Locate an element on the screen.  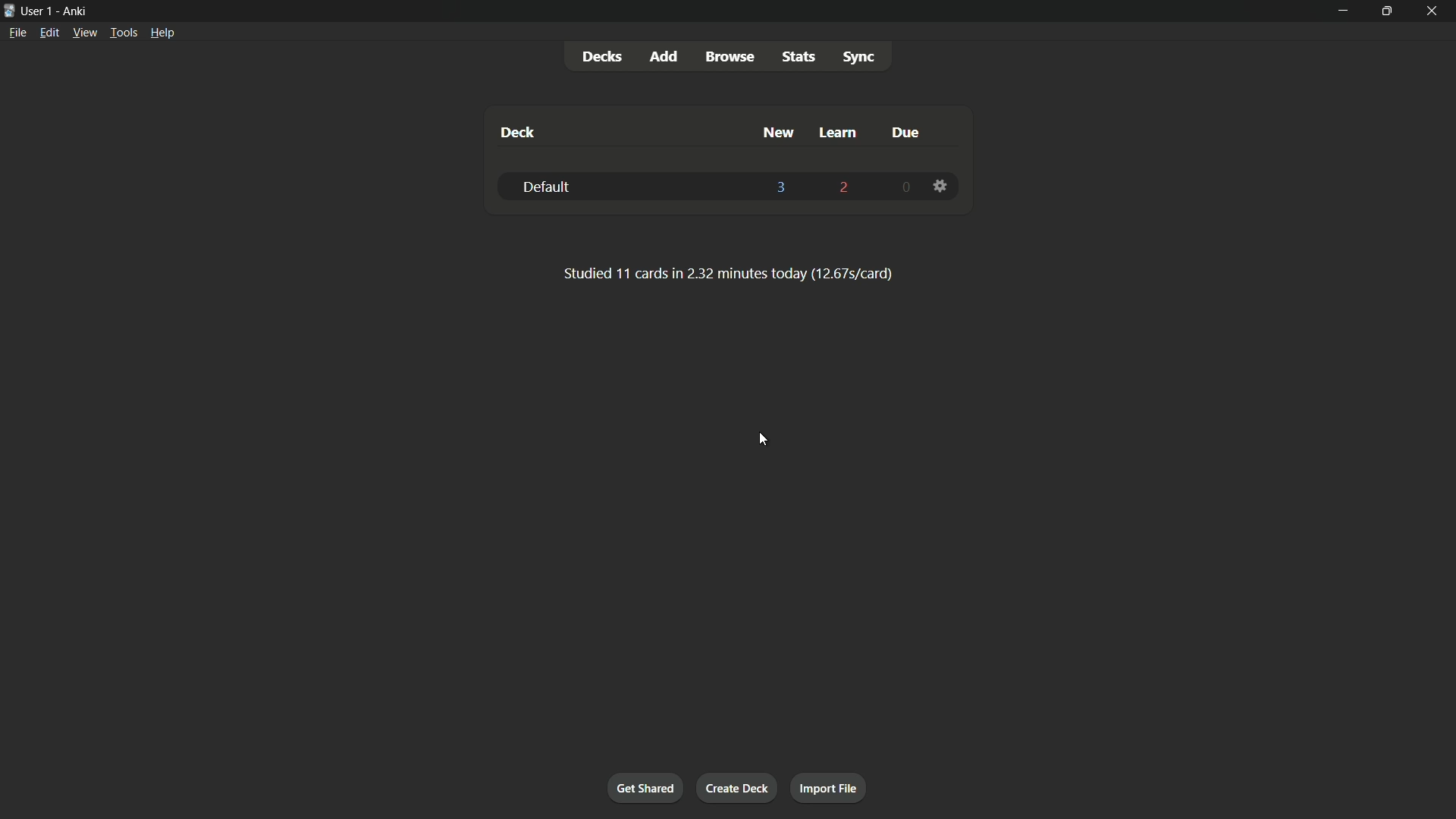
import file is located at coordinates (830, 789).